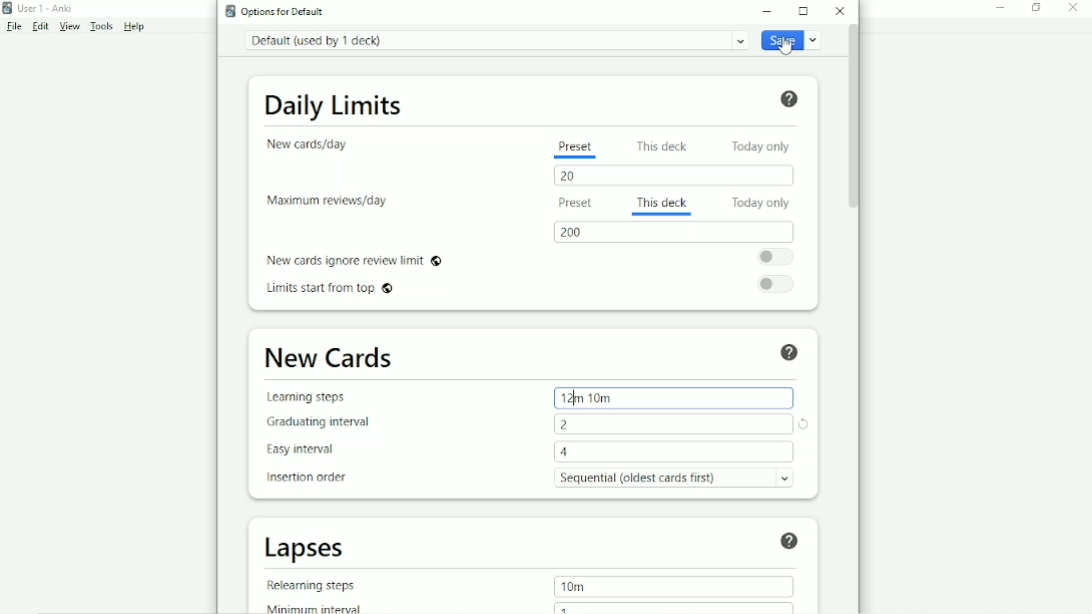 The height and width of the screenshot is (614, 1092). I want to click on Options for Default, so click(275, 11).